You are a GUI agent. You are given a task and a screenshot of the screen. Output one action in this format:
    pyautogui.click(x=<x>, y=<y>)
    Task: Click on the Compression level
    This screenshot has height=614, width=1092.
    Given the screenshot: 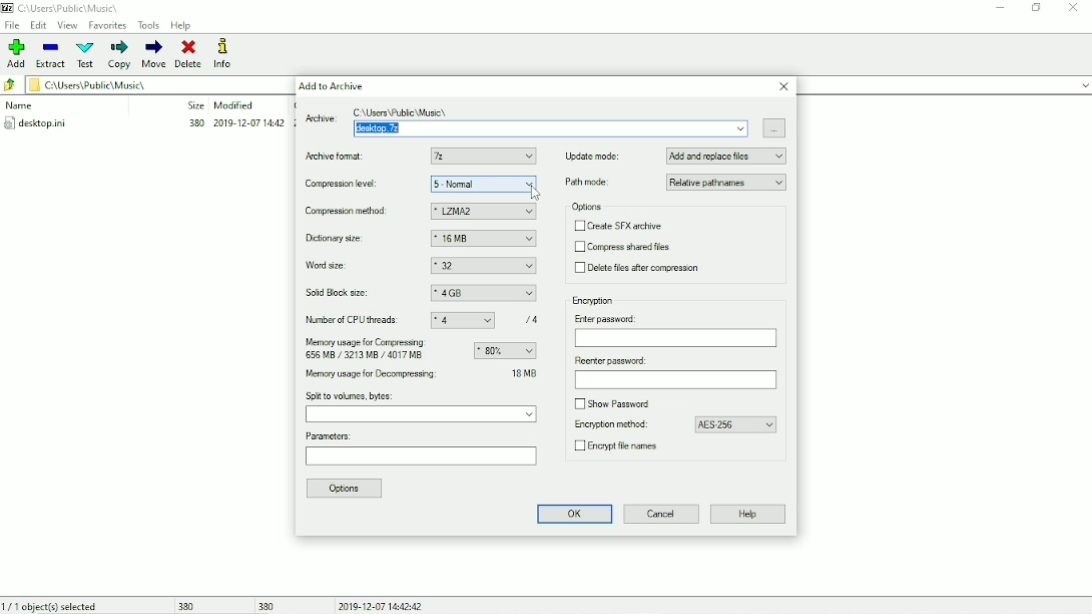 What is the action you would take?
    pyautogui.click(x=346, y=185)
    